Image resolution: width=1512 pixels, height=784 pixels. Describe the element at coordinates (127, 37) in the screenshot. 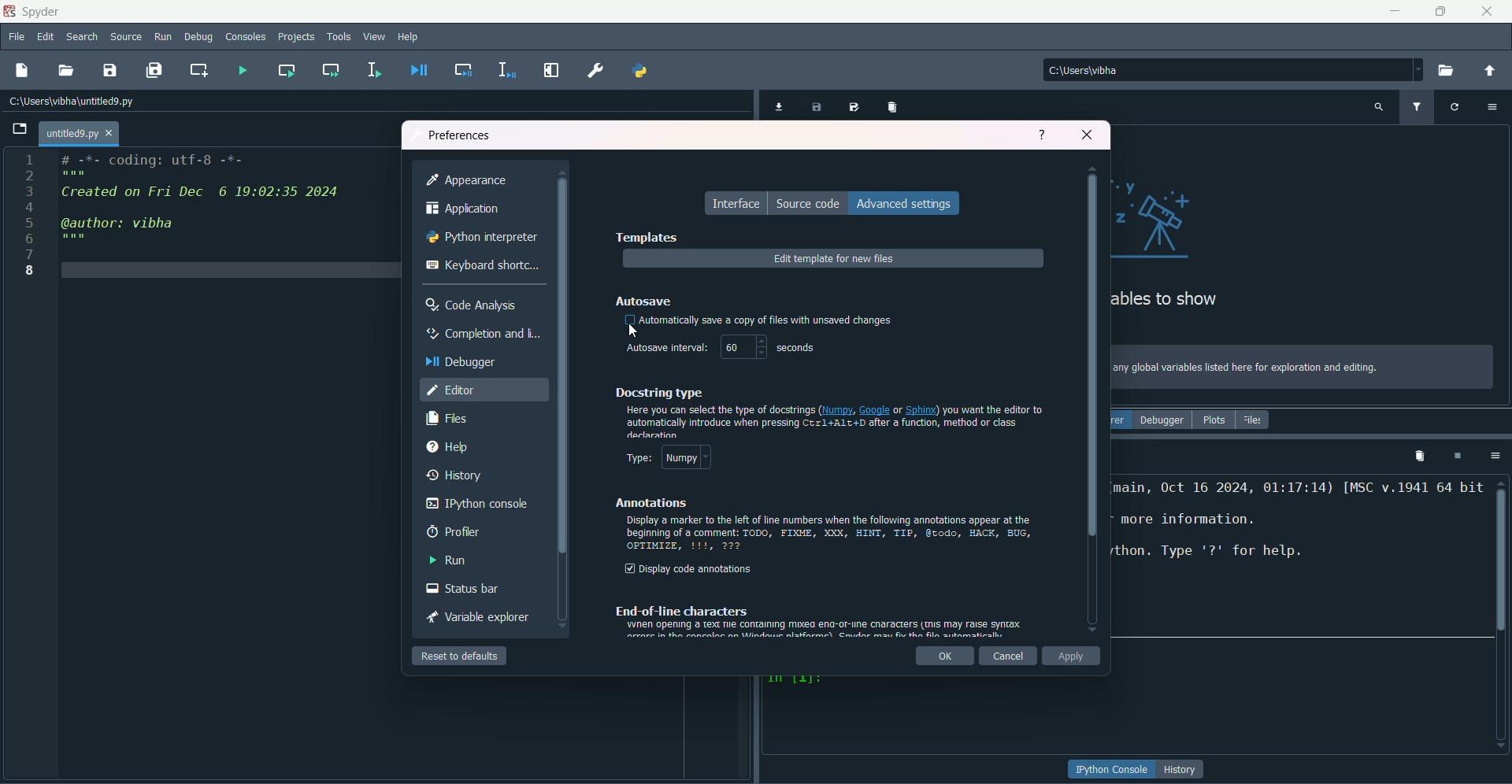

I see `source` at that location.